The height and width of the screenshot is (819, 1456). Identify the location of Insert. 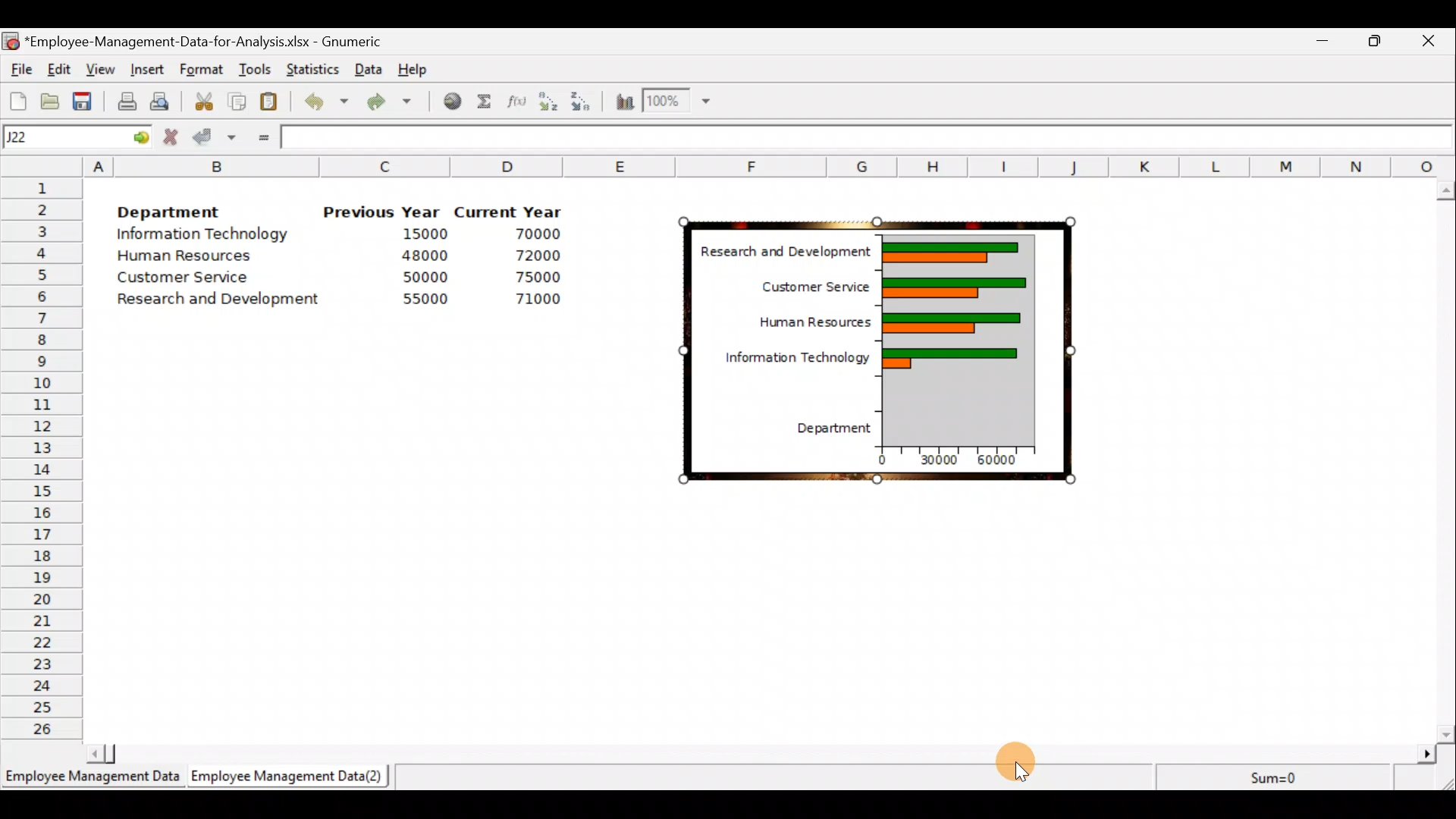
(150, 67).